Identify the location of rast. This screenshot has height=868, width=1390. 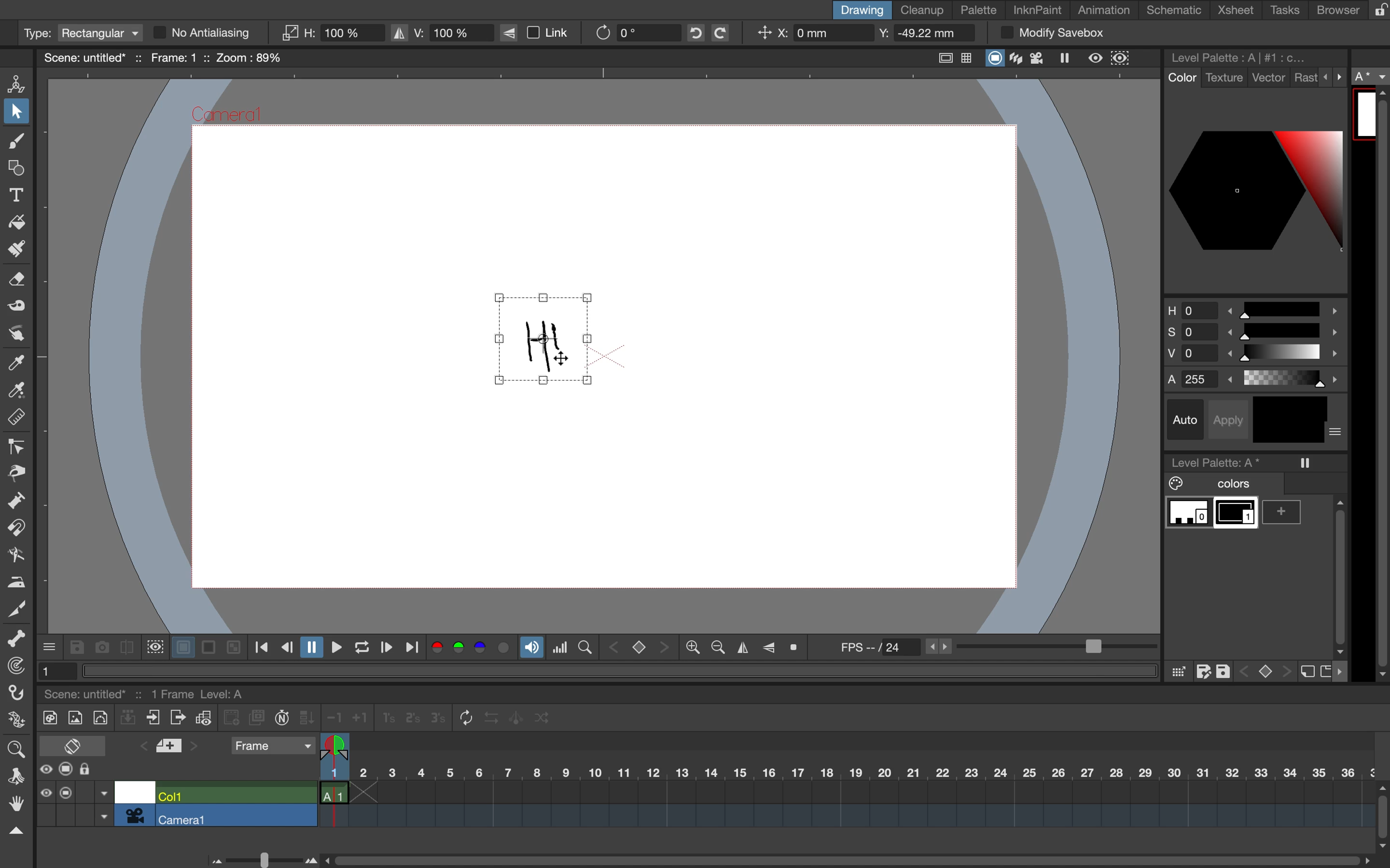
(1305, 79).